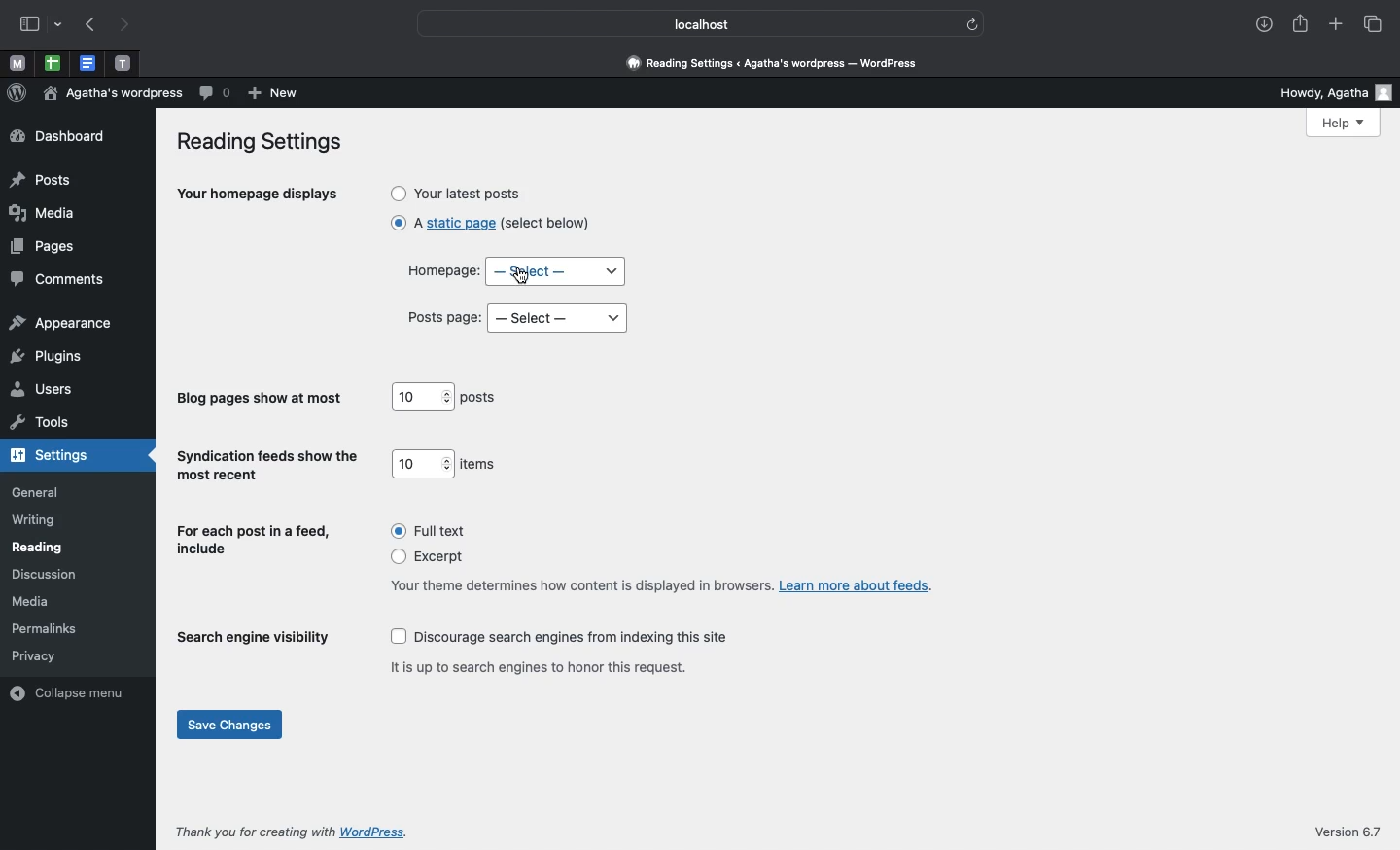  What do you see at coordinates (256, 542) in the screenshot?
I see `For each post in a feed, include` at bounding box center [256, 542].